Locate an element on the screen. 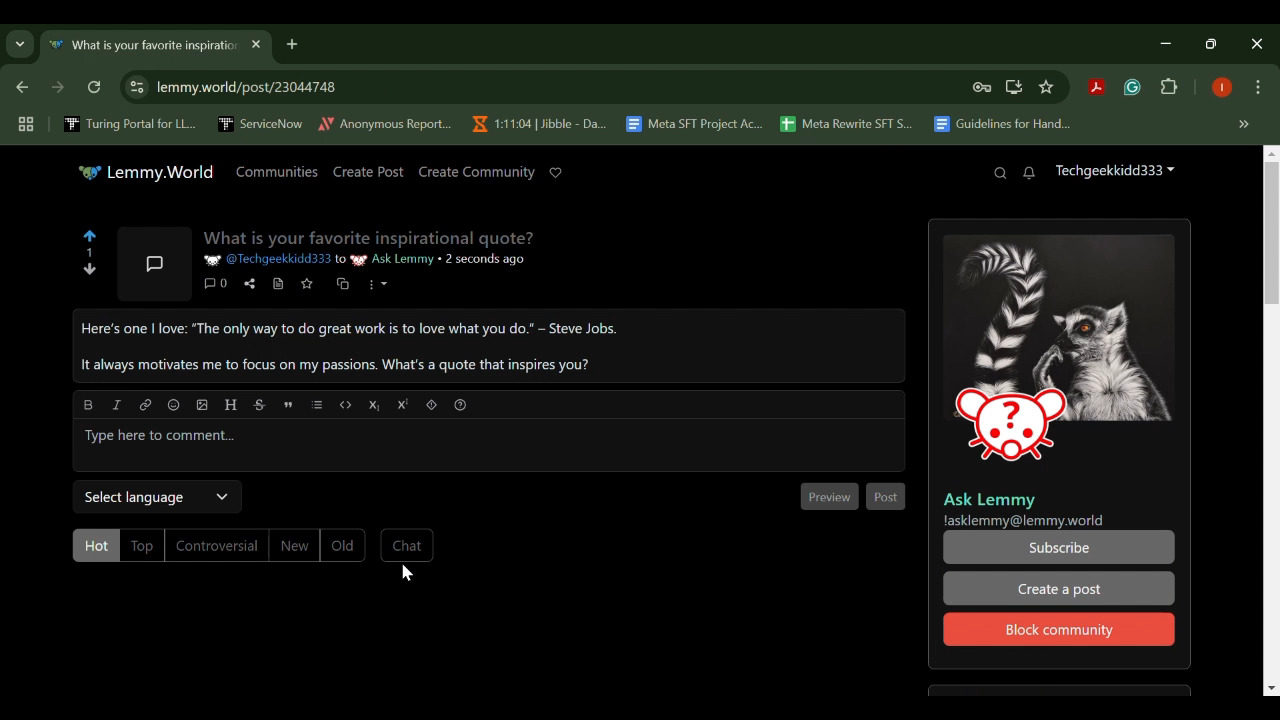  Post Votes Counter is located at coordinates (89, 258).